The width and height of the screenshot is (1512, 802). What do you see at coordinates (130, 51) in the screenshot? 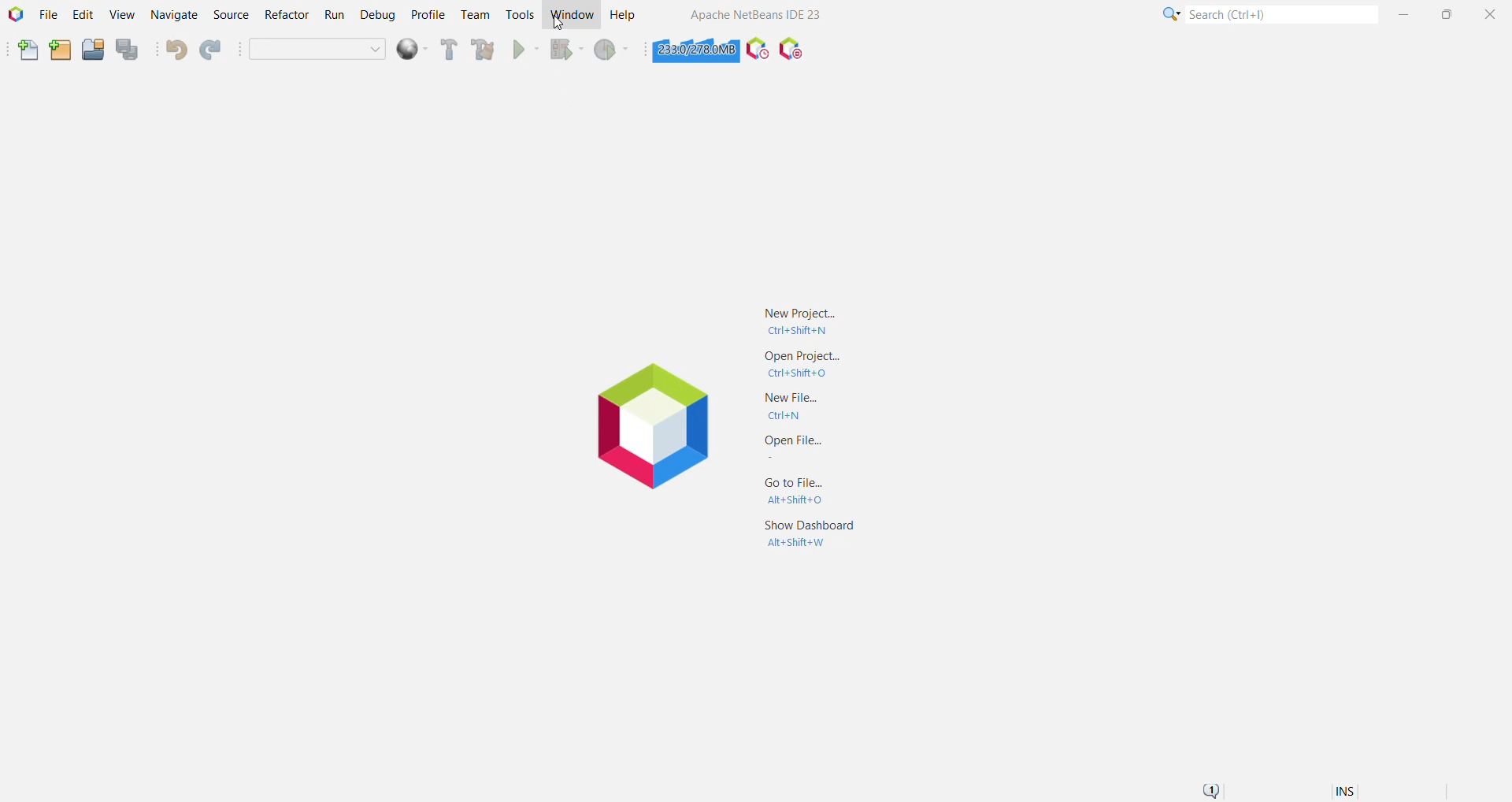
I see `Save All` at bounding box center [130, 51].